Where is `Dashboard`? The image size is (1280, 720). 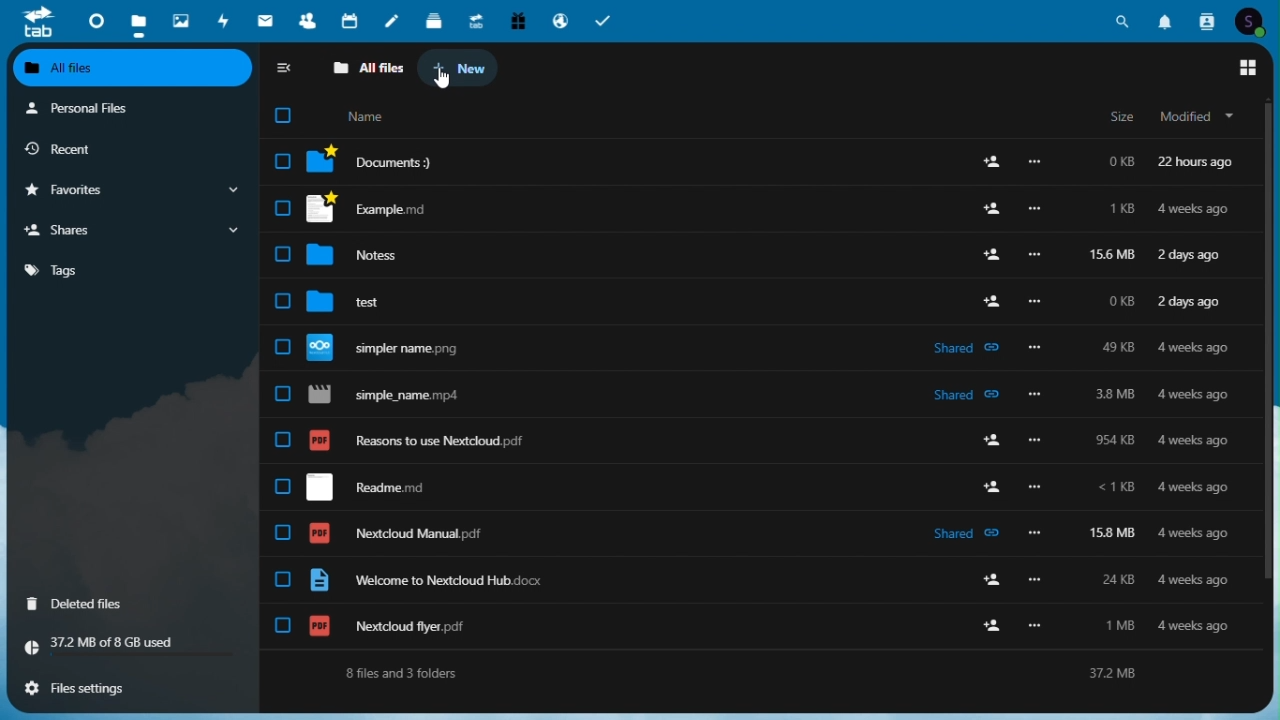
Dashboard is located at coordinates (93, 21).